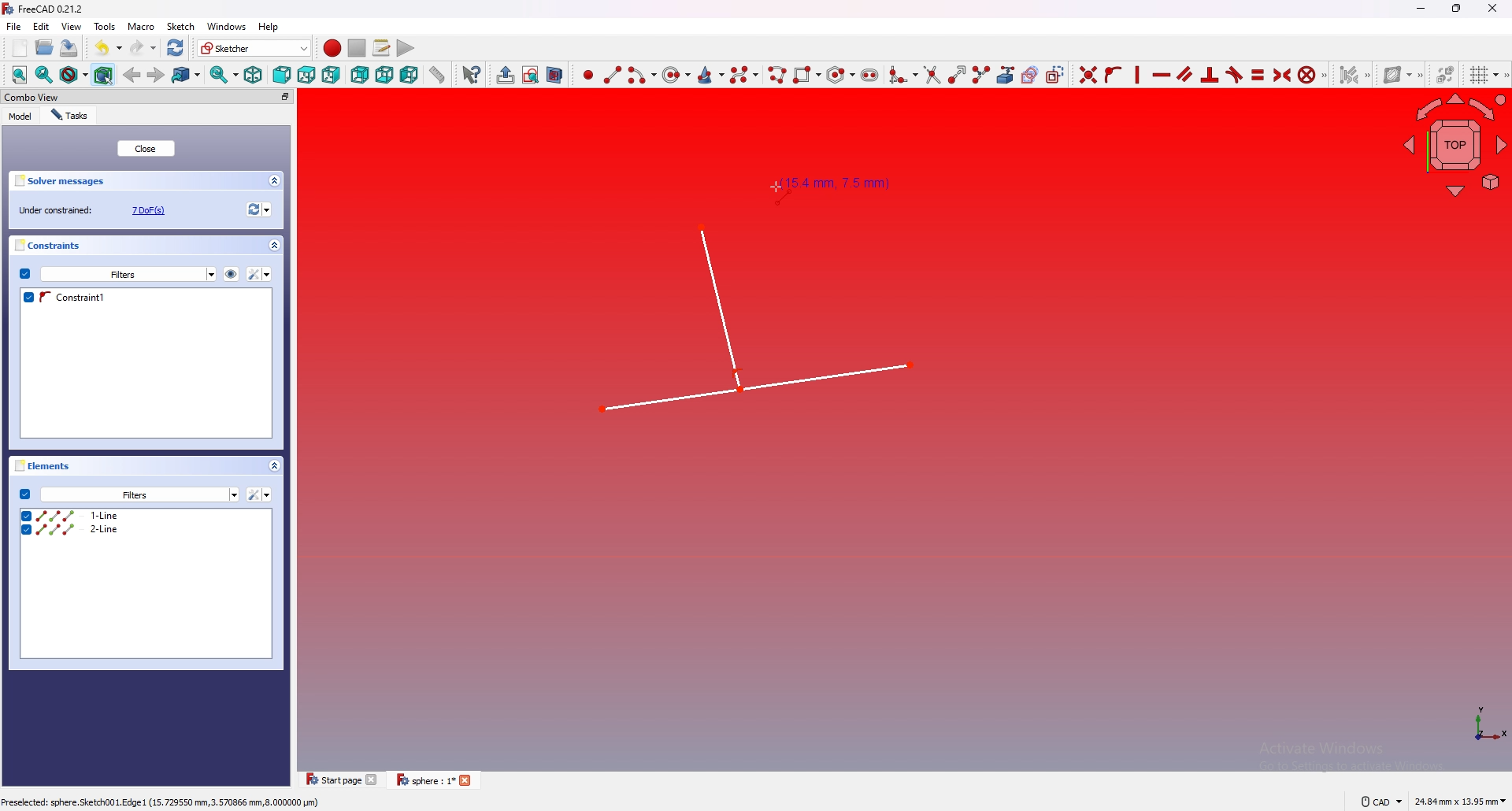 This screenshot has height=811, width=1512. Describe the element at coordinates (20, 116) in the screenshot. I see `Model` at that location.